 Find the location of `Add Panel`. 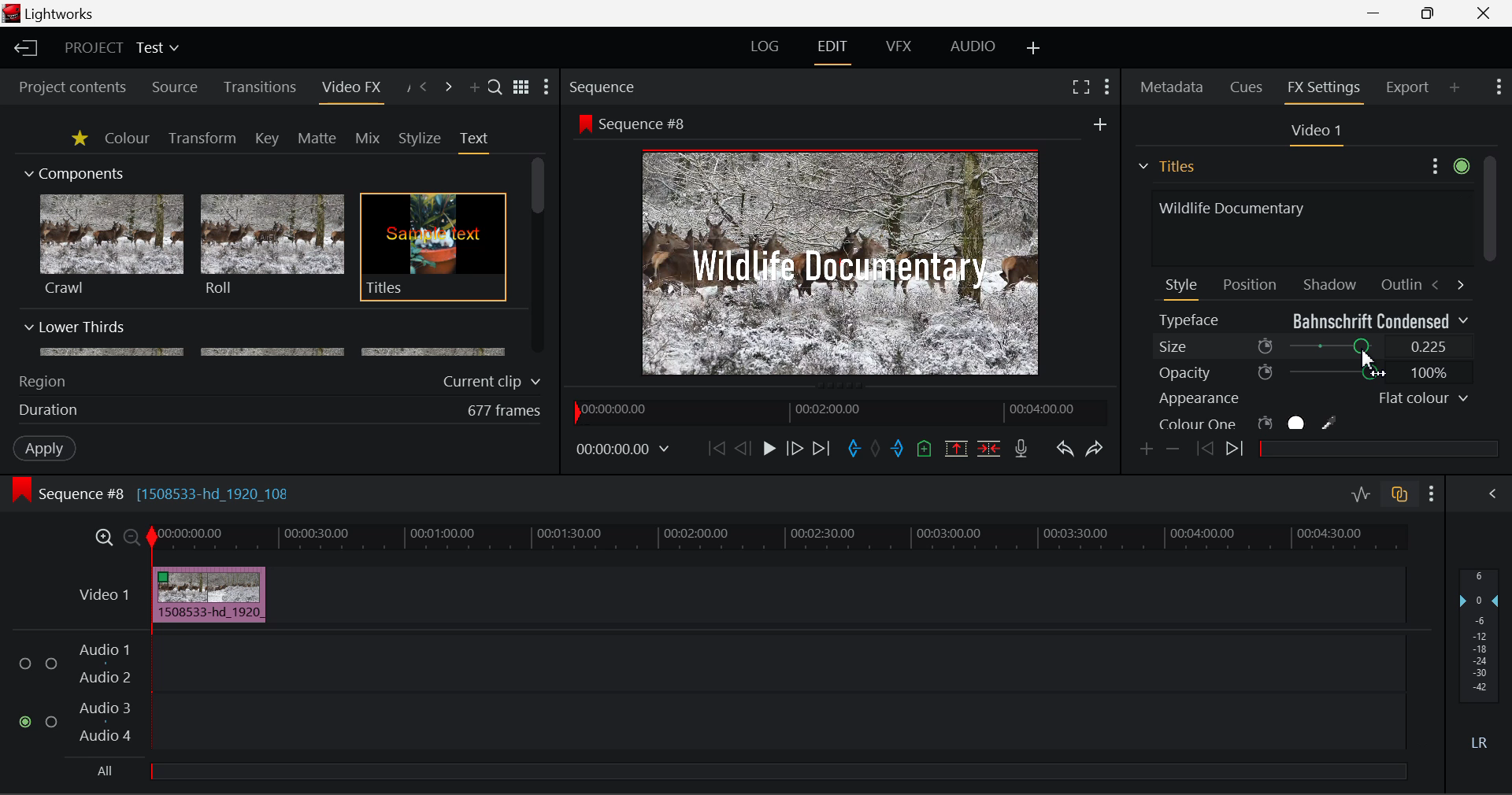

Add Panel is located at coordinates (472, 88).